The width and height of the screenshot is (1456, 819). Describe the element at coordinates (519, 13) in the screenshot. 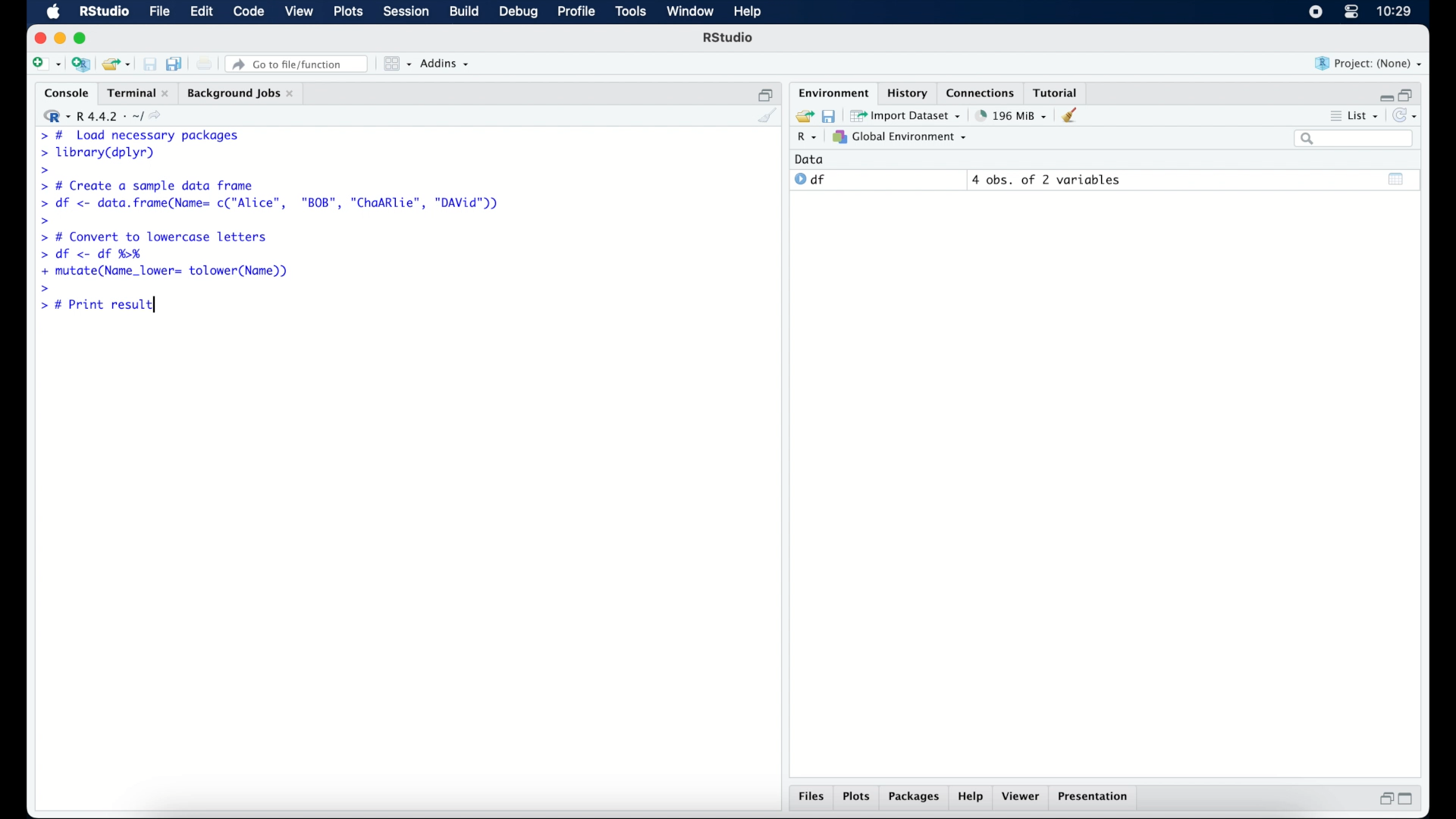

I see `debug` at that location.